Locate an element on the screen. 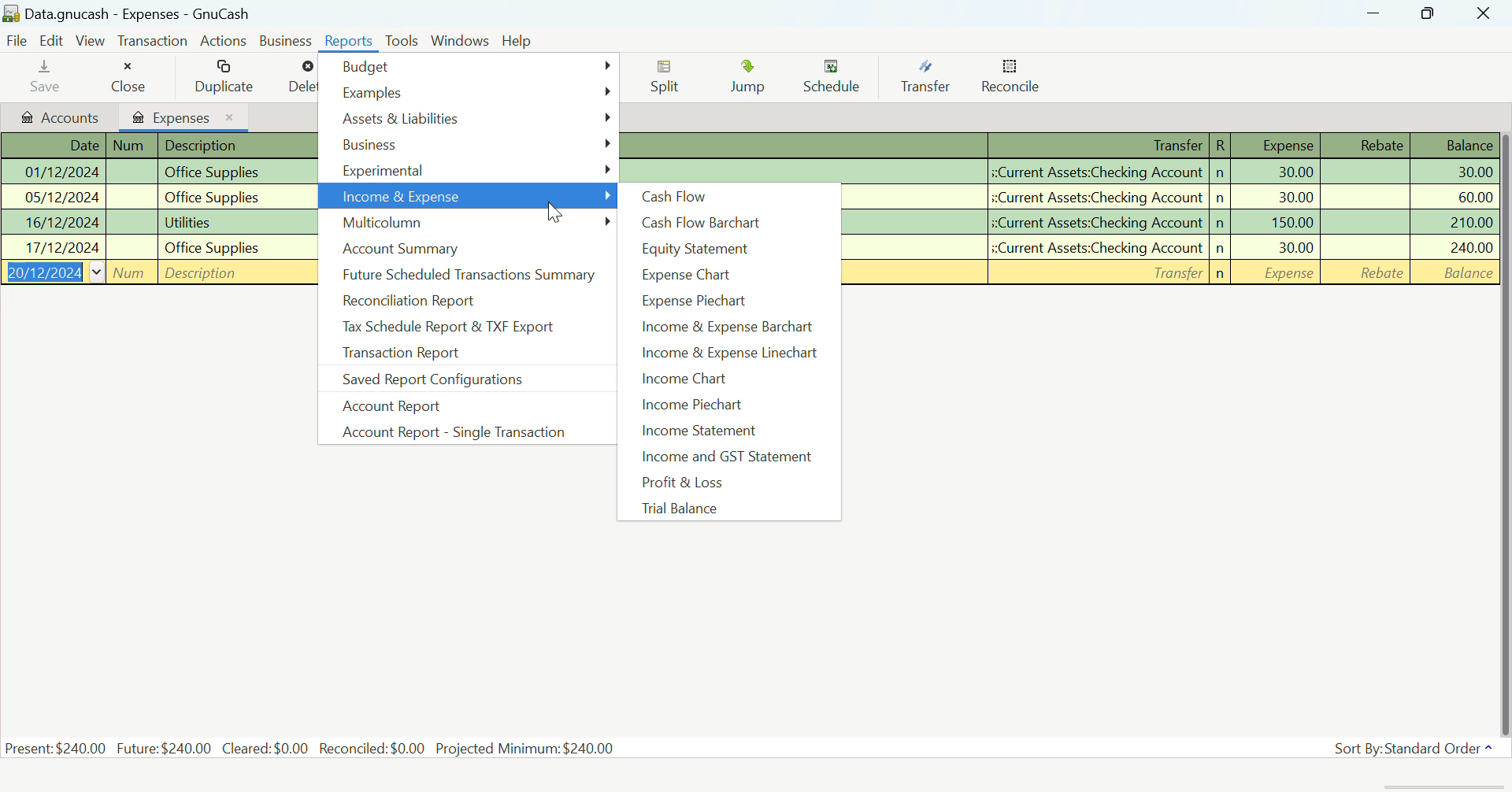 This screenshot has height=792, width=1512. Examples is located at coordinates (471, 94).